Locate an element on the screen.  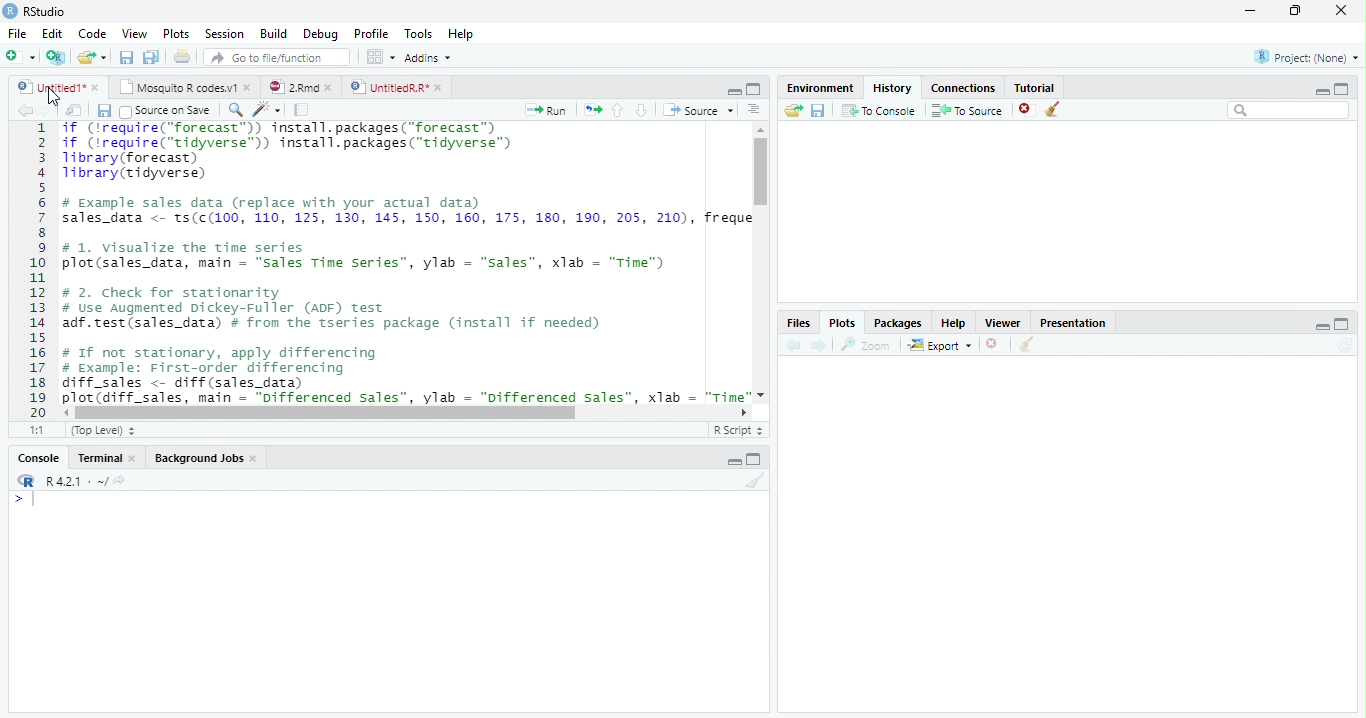
Next is located at coordinates (821, 346).